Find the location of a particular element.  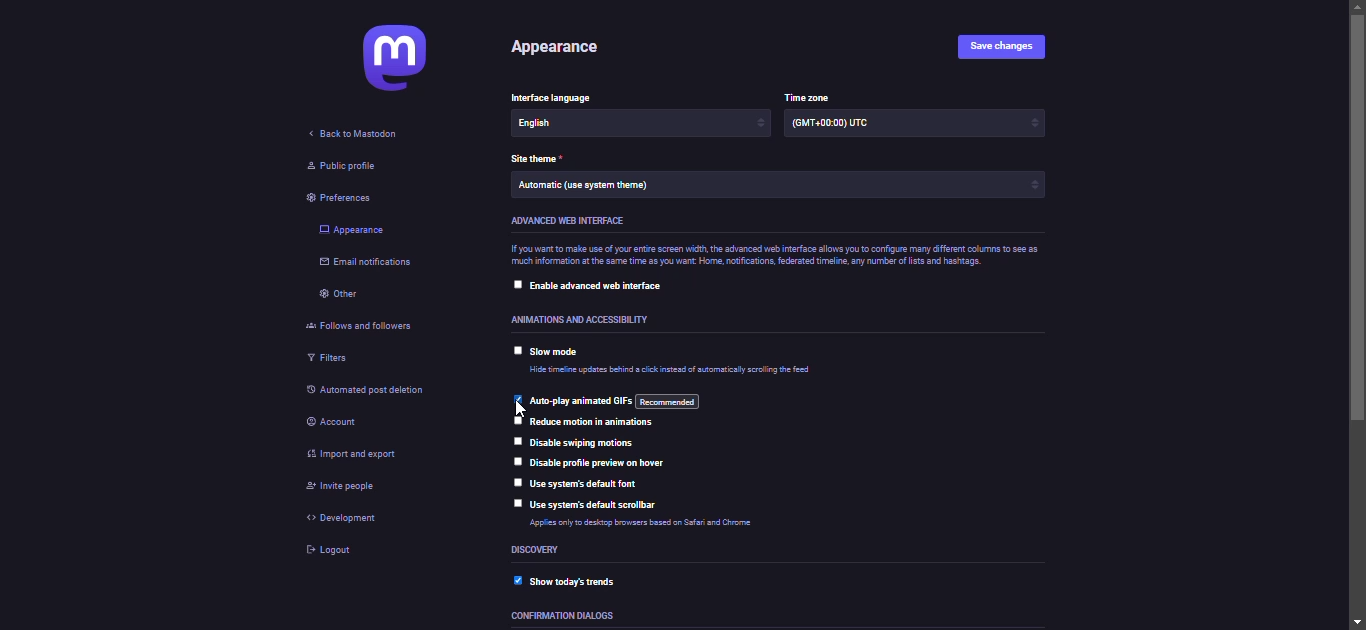

click to select is located at coordinates (512, 287).